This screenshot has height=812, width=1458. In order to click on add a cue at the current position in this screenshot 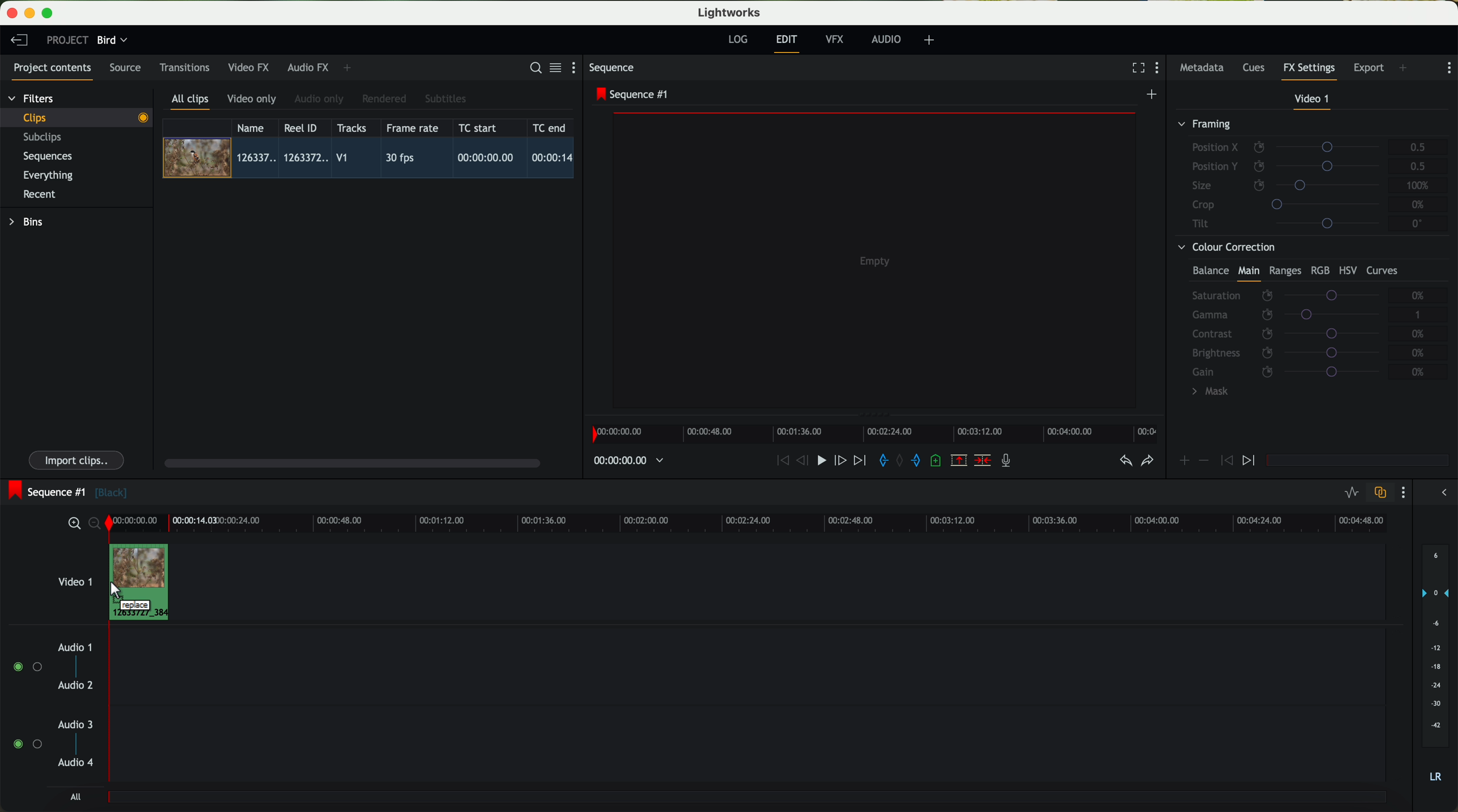, I will do `click(937, 461)`.